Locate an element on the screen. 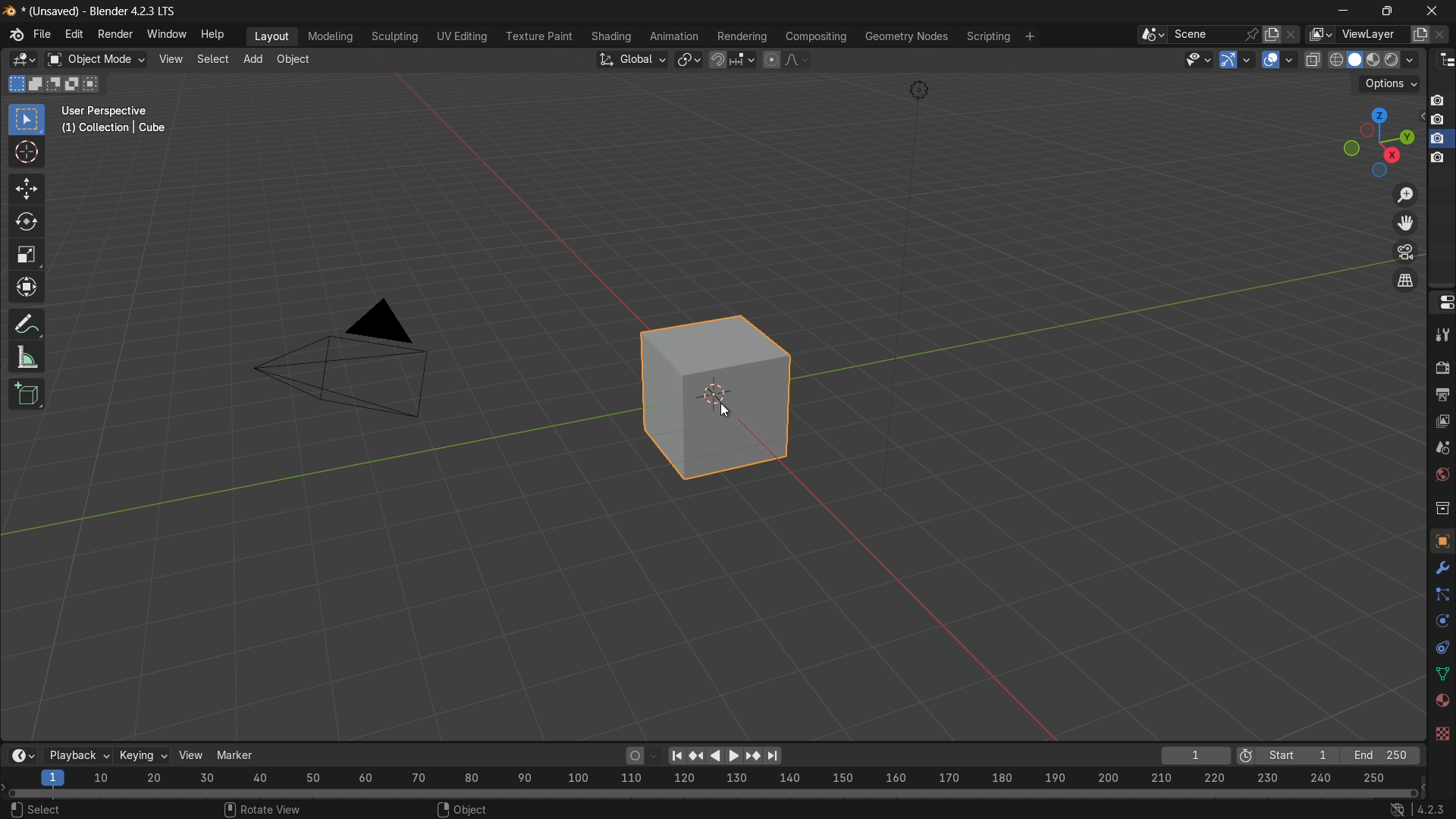  active workspace is located at coordinates (1318, 34).